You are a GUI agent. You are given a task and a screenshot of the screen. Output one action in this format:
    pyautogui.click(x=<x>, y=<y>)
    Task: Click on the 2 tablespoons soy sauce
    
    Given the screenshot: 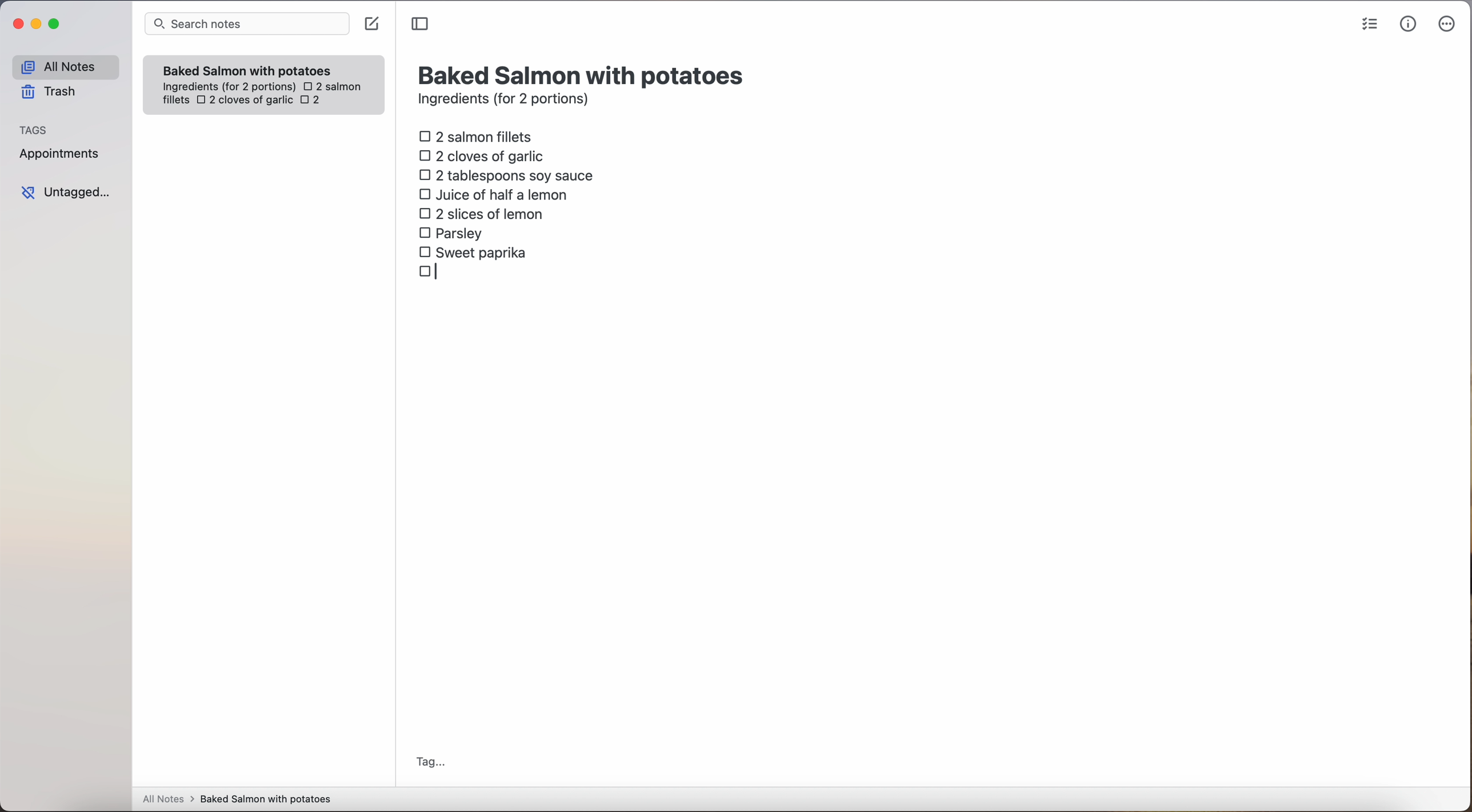 What is the action you would take?
    pyautogui.click(x=506, y=175)
    